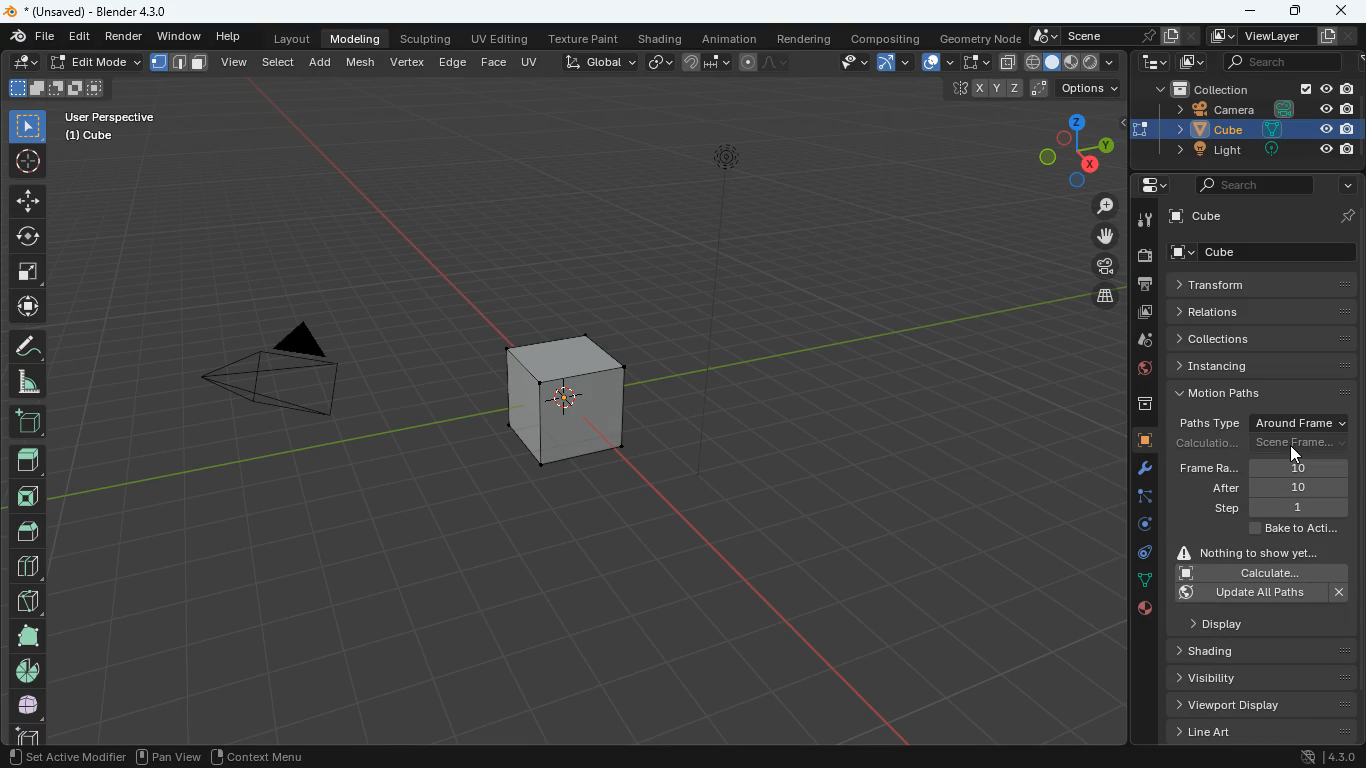 This screenshot has height=768, width=1366. Describe the element at coordinates (288, 40) in the screenshot. I see `layout` at that location.